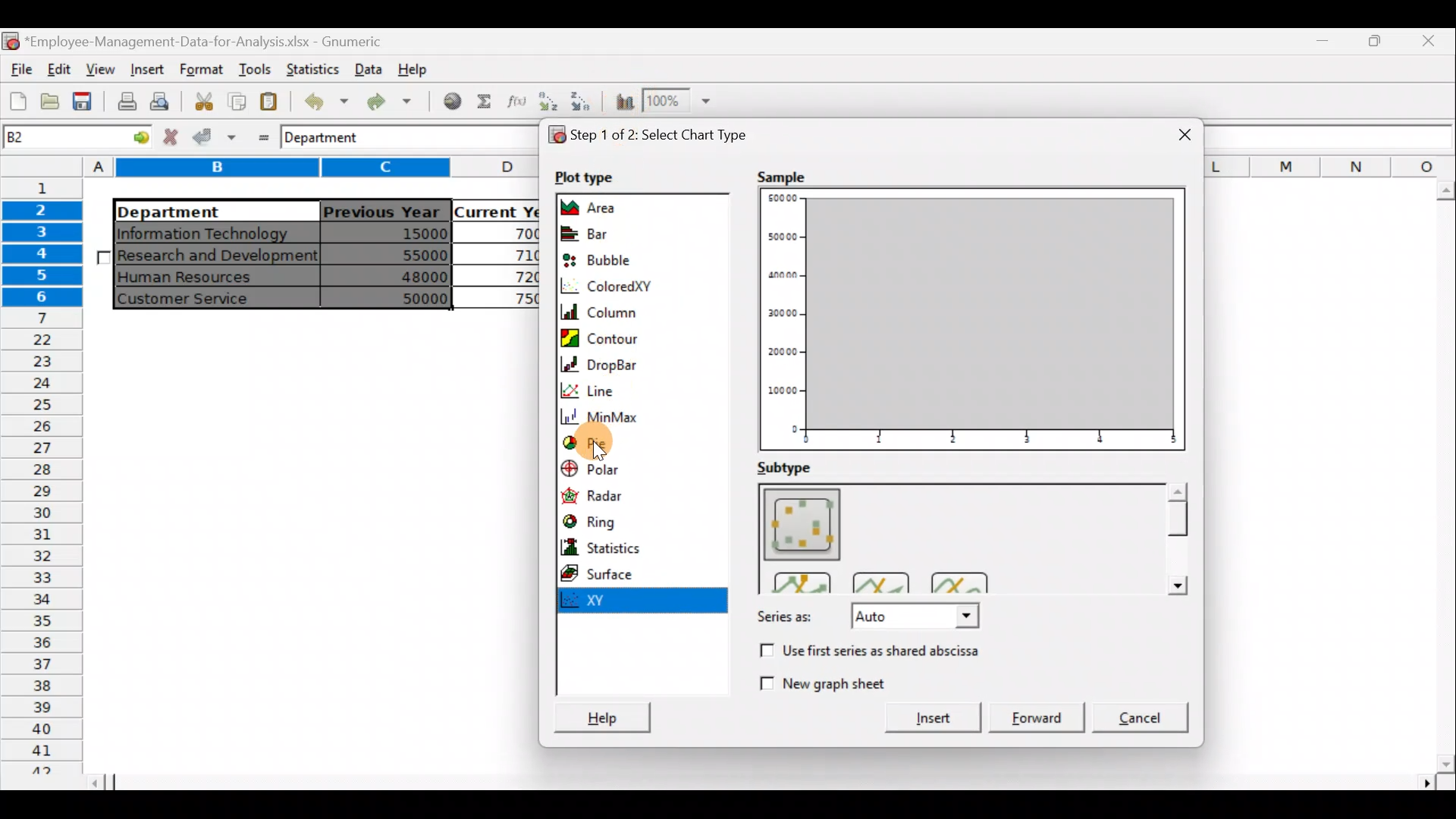 The width and height of the screenshot is (1456, 819). What do you see at coordinates (103, 67) in the screenshot?
I see `View` at bounding box center [103, 67].